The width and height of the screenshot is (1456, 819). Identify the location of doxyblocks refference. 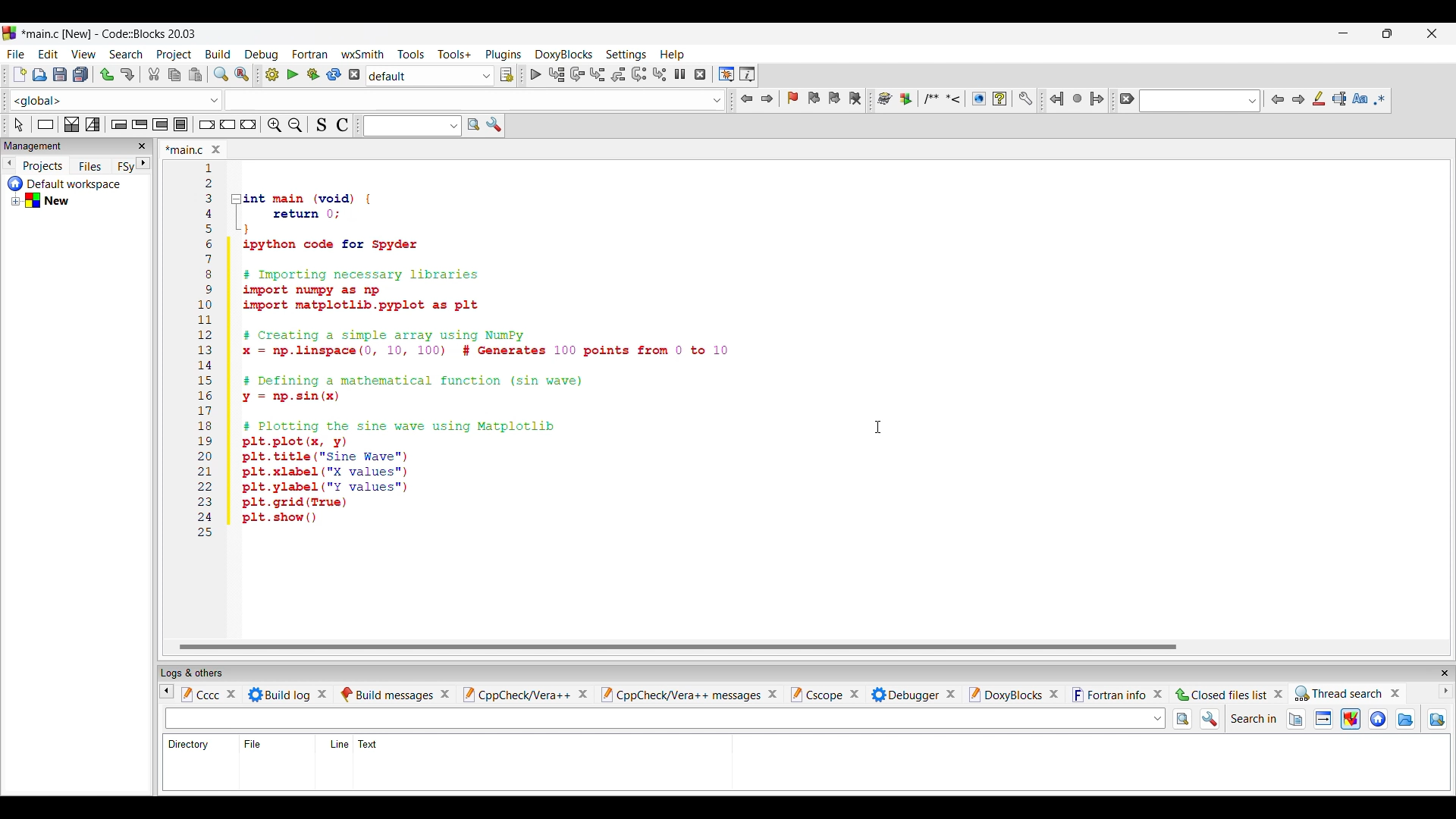
(959, 99).